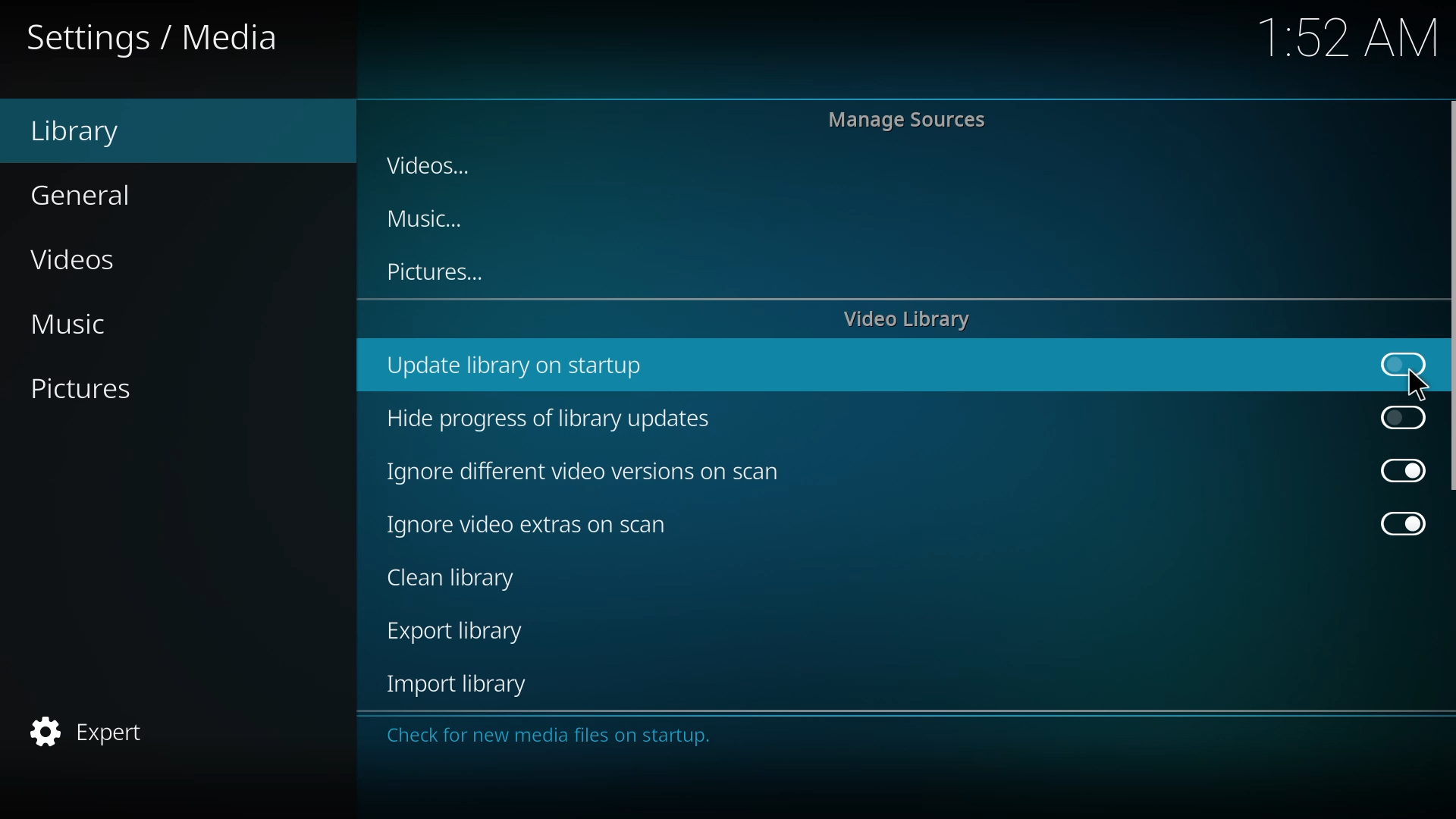 The width and height of the screenshot is (1456, 819). Describe the element at coordinates (1350, 35) in the screenshot. I see `time` at that location.